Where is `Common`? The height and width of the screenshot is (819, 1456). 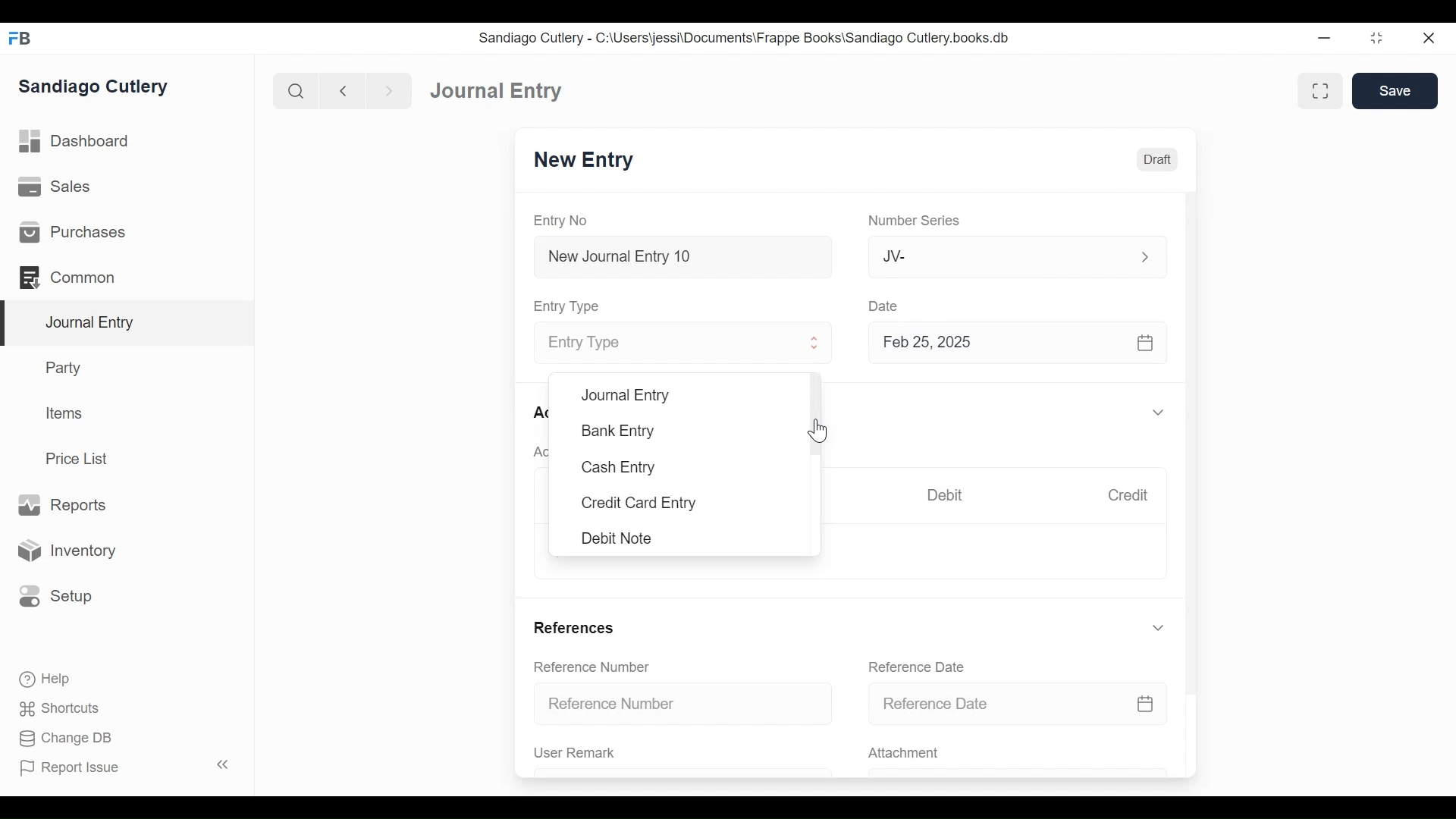
Common is located at coordinates (68, 276).